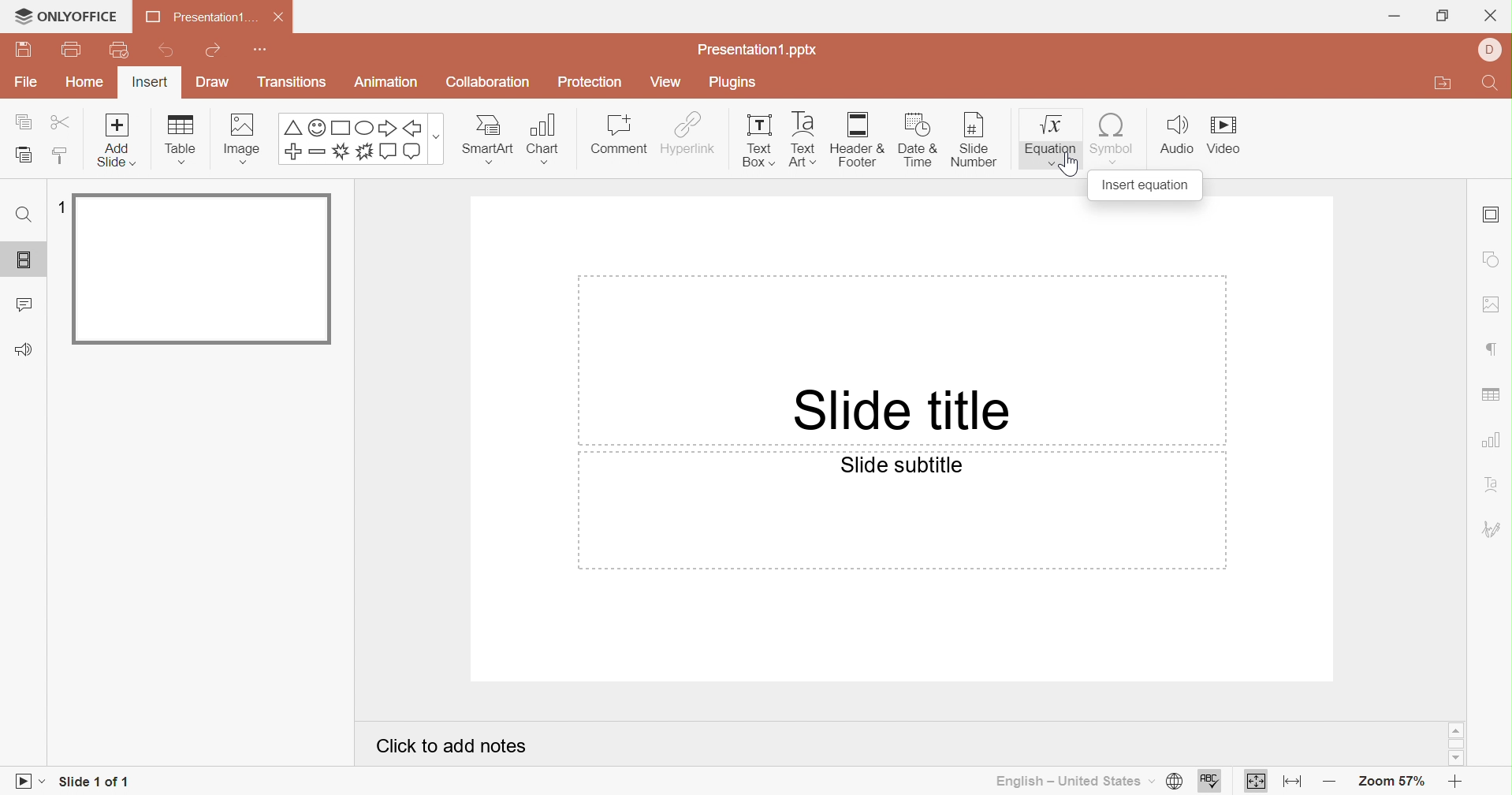 Image resolution: width=1512 pixels, height=795 pixels. I want to click on Video, so click(1228, 133).